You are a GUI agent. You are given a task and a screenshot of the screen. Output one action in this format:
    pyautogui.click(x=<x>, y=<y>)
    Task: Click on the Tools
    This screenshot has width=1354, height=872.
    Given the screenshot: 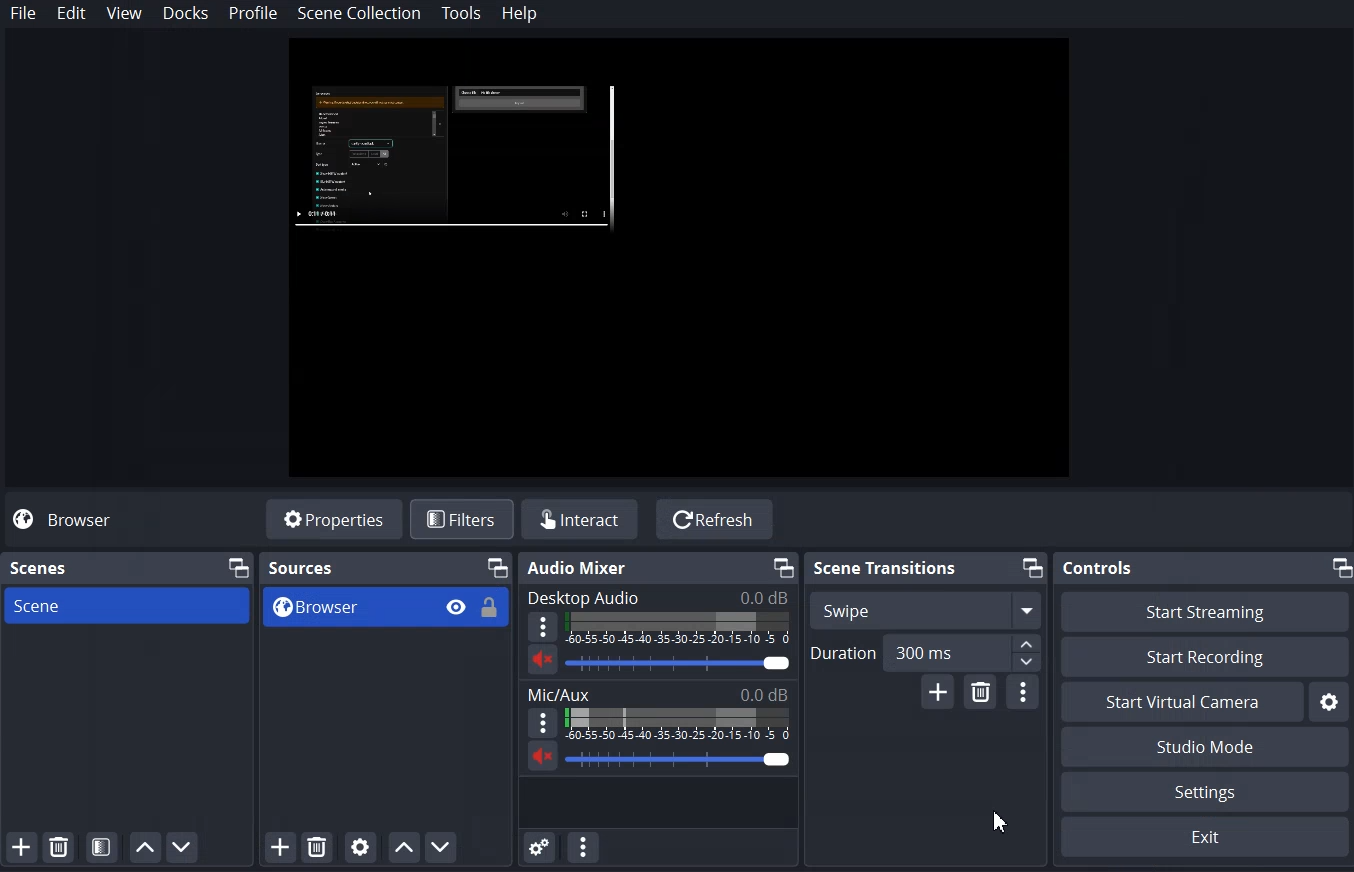 What is the action you would take?
    pyautogui.click(x=462, y=13)
    